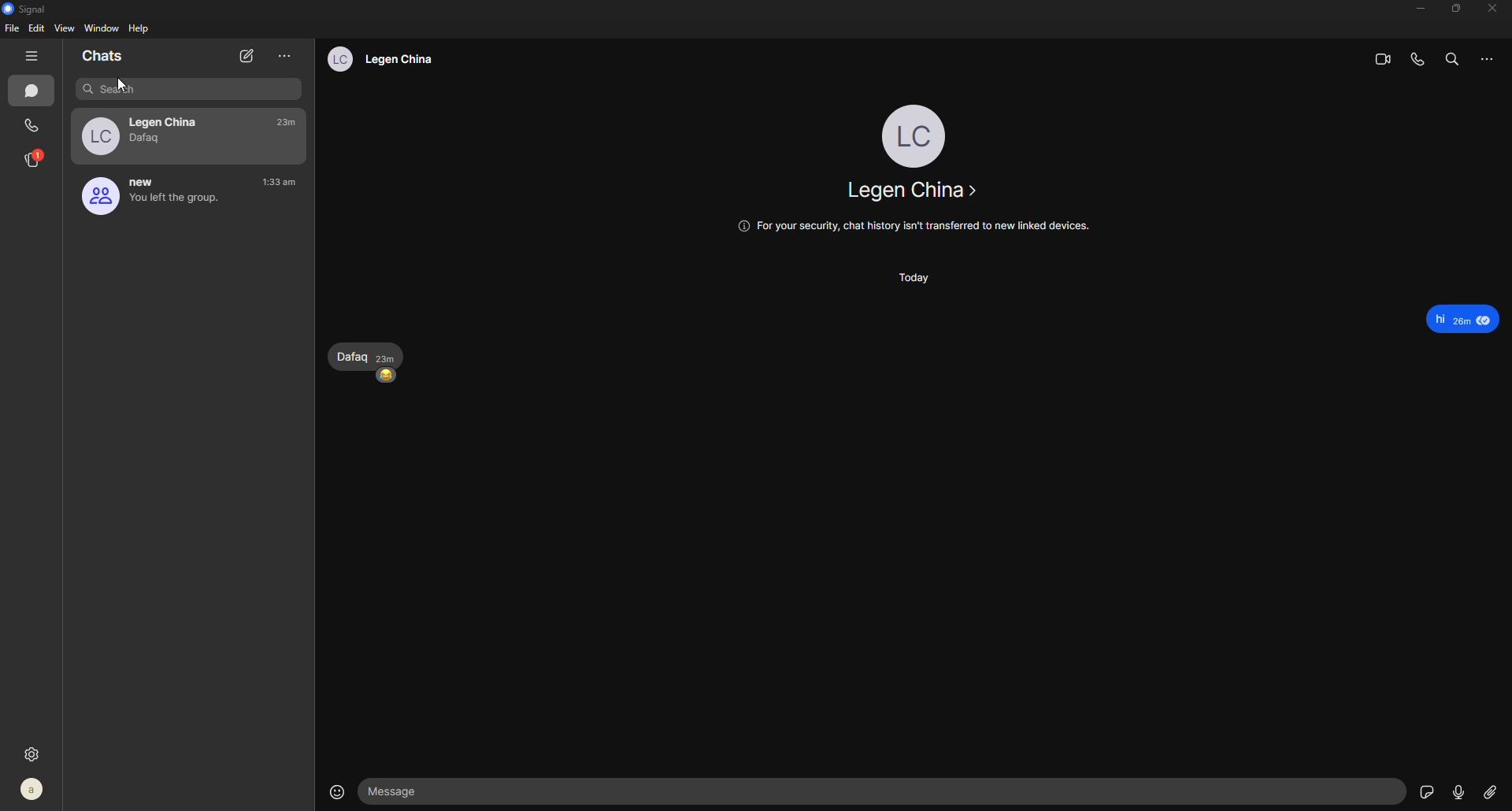  What do you see at coordinates (914, 277) in the screenshot?
I see `today` at bounding box center [914, 277].